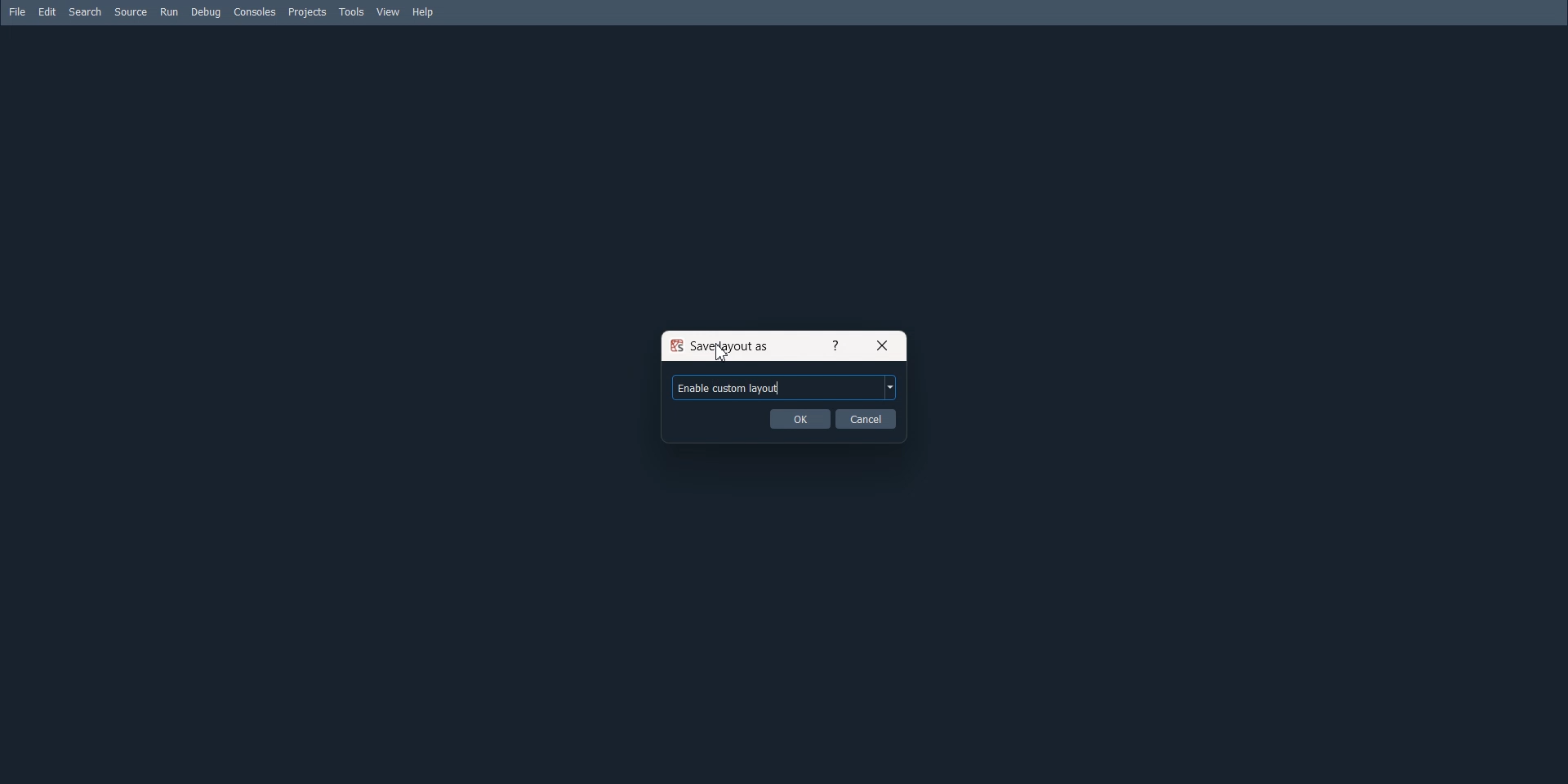  Describe the element at coordinates (47, 11) in the screenshot. I see `Edit` at that location.